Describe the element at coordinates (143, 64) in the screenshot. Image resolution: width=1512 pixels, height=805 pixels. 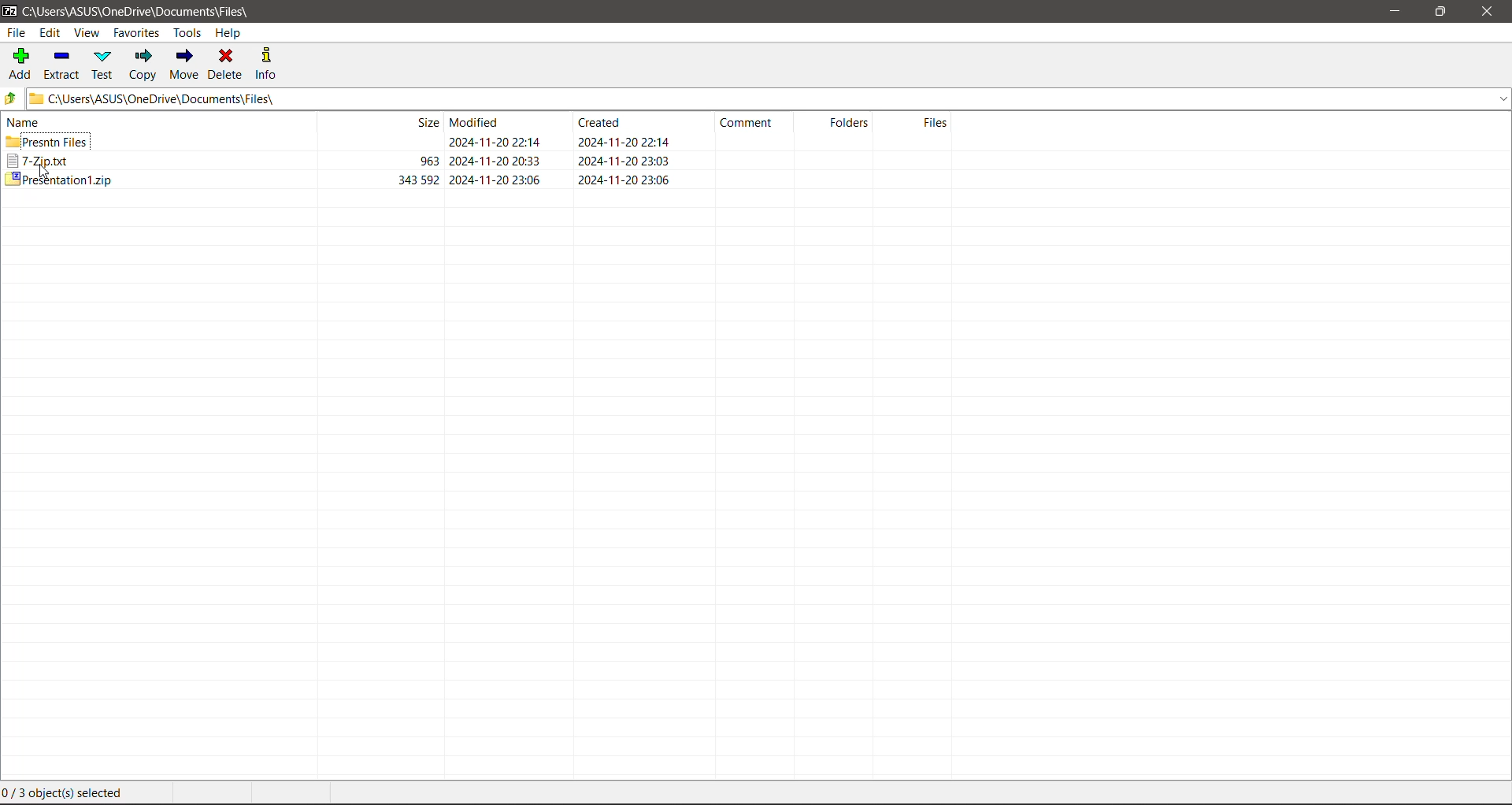
I see `Copy` at that location.